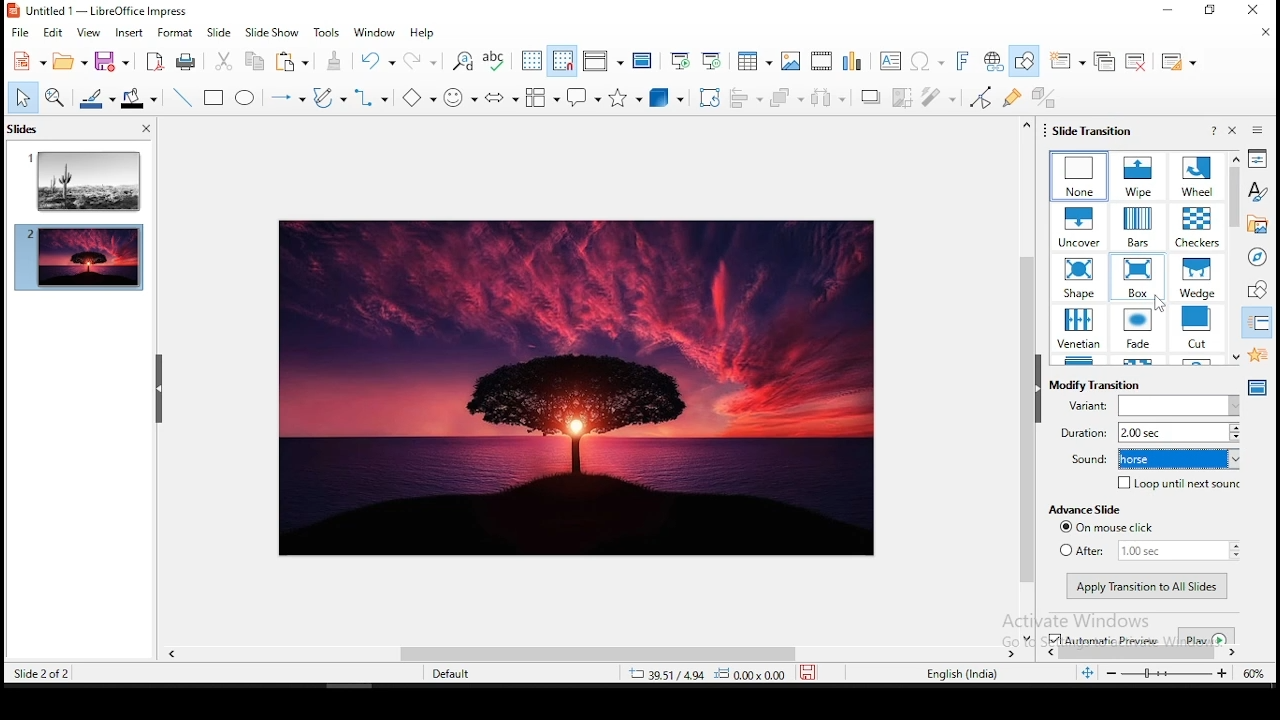  Describe the element at coordinates (369, 97) in the screenshot. I see `connectors` at that location.